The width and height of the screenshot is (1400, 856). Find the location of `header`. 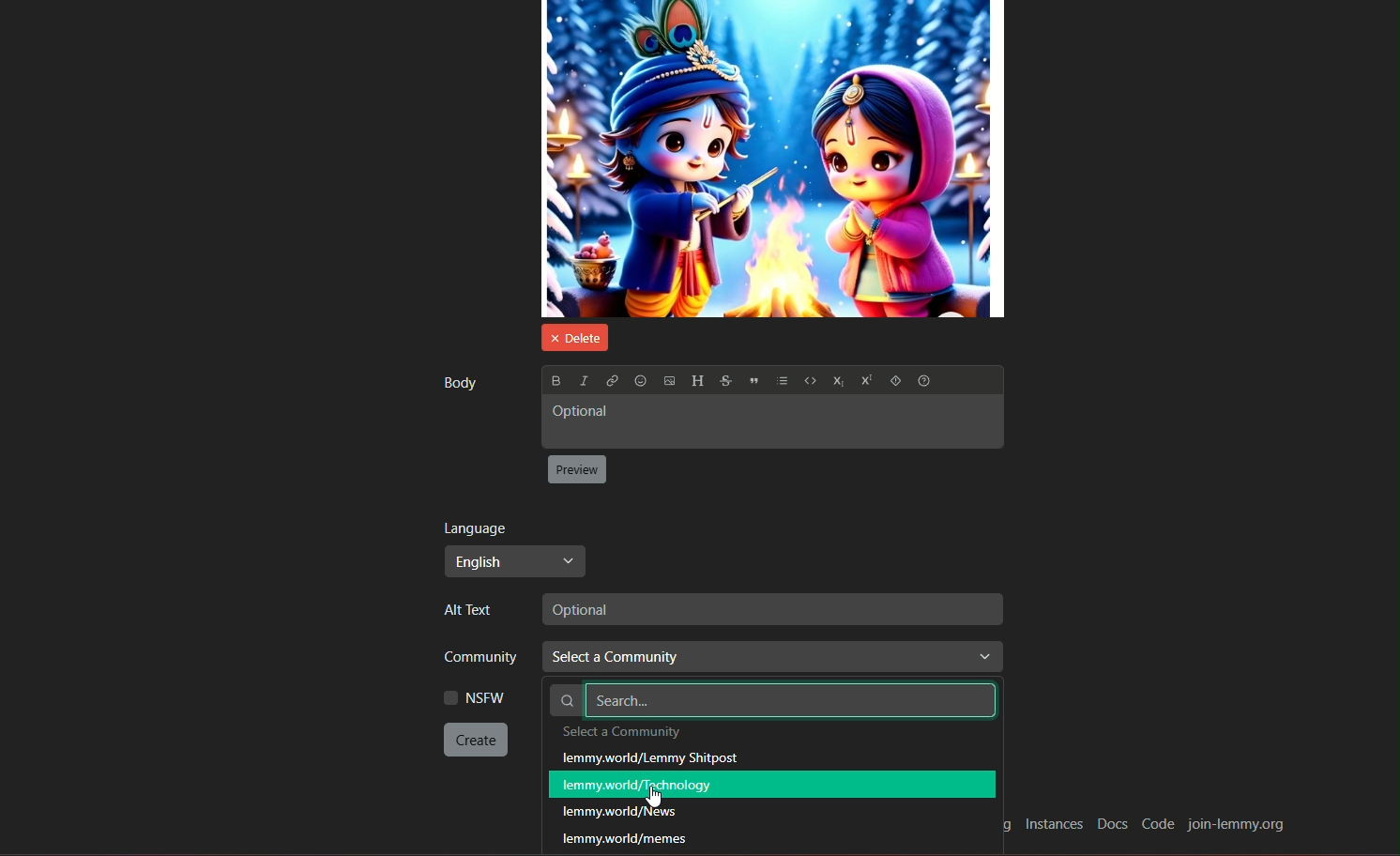

header is located at coordinates (697, 381).